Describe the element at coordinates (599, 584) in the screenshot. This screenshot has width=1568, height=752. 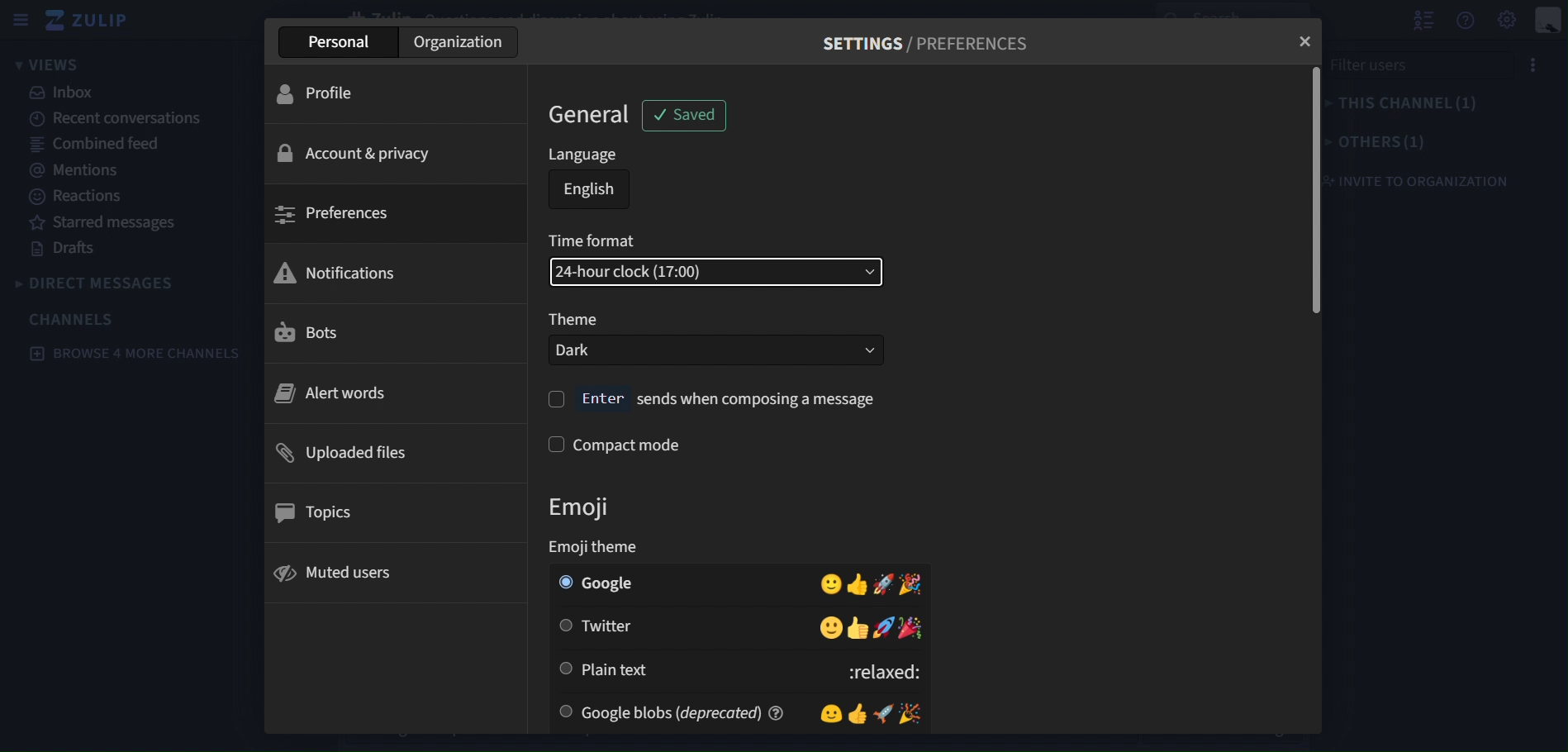
I see `google` at that location.